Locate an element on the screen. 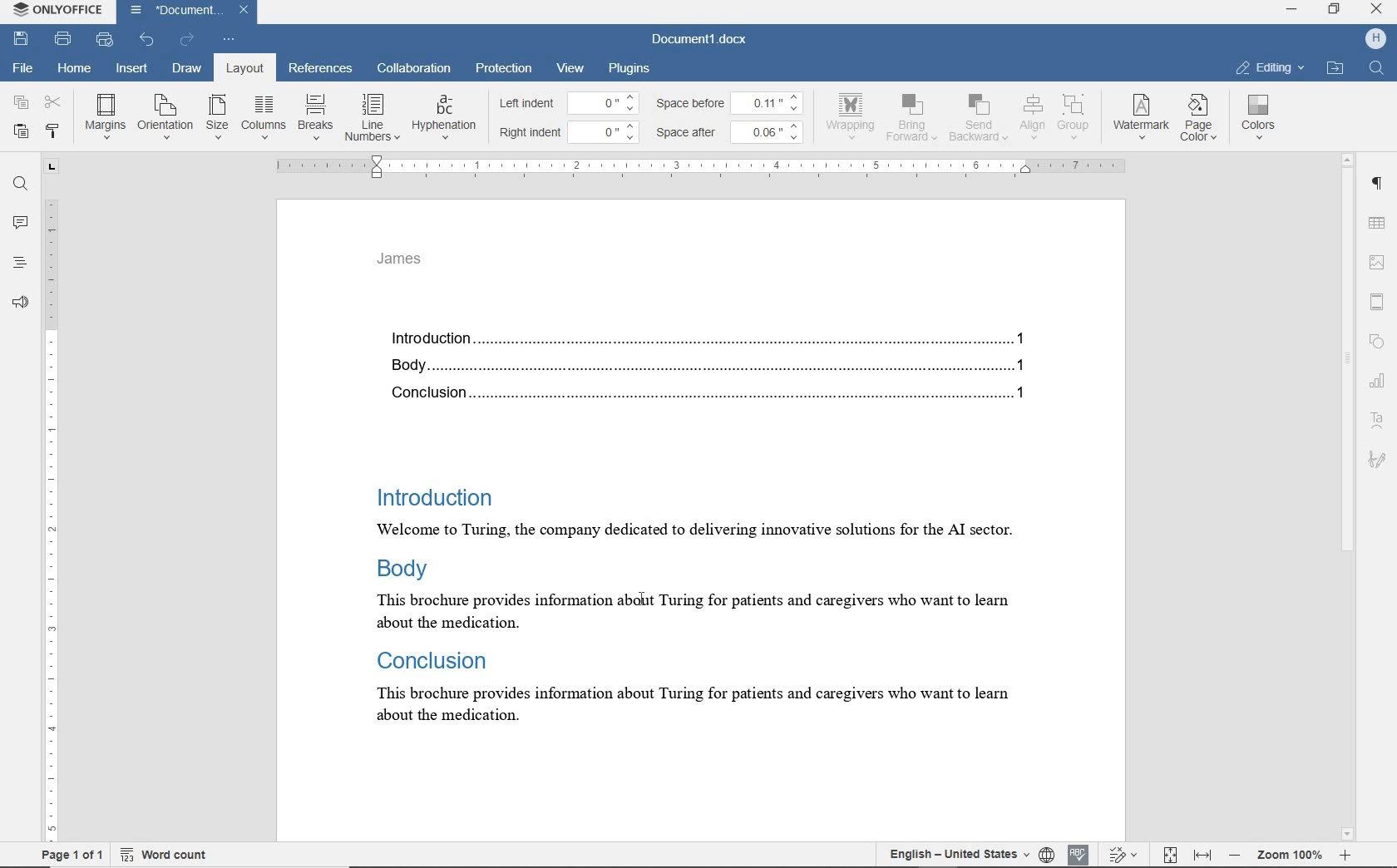 This screenshot has height=868, width=1397. page color is located at coordinates (1202, 120).